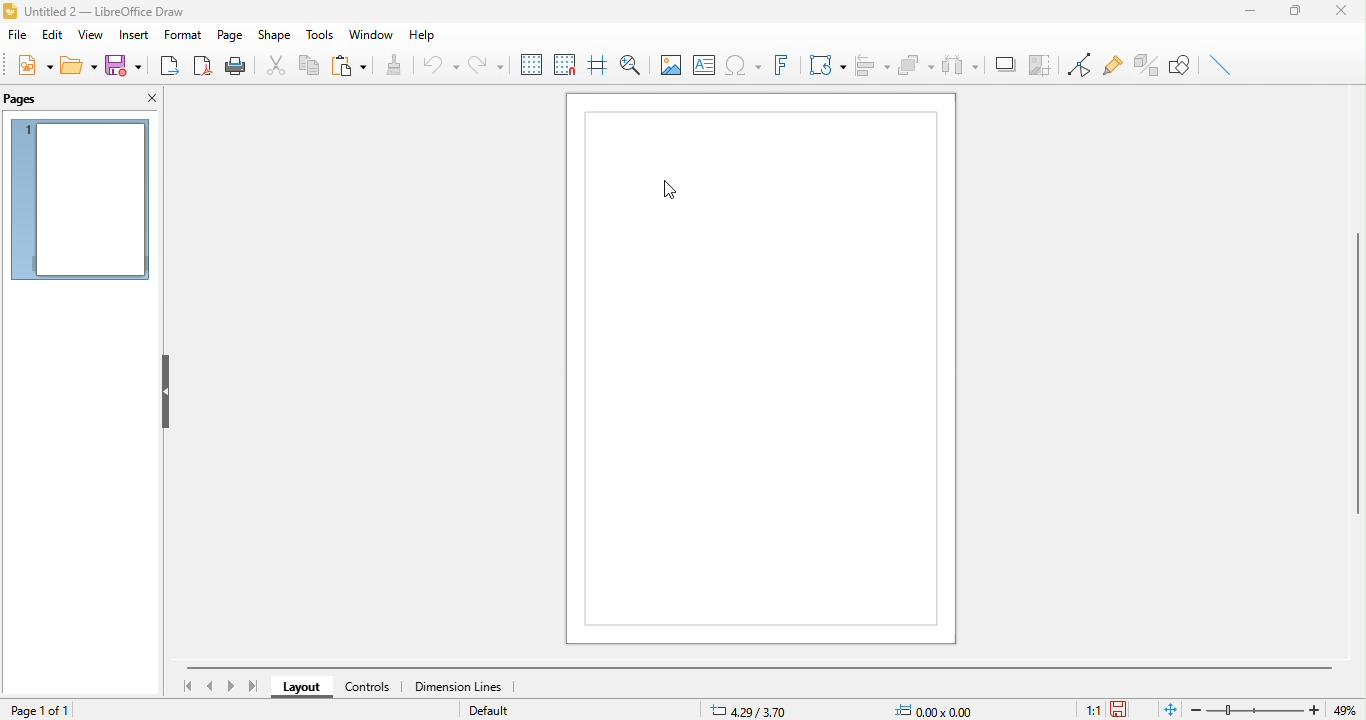 The width and height of the screenshot is (1366, 720). I want to click on the document has not been modified since the last save, so click(1127, 709).